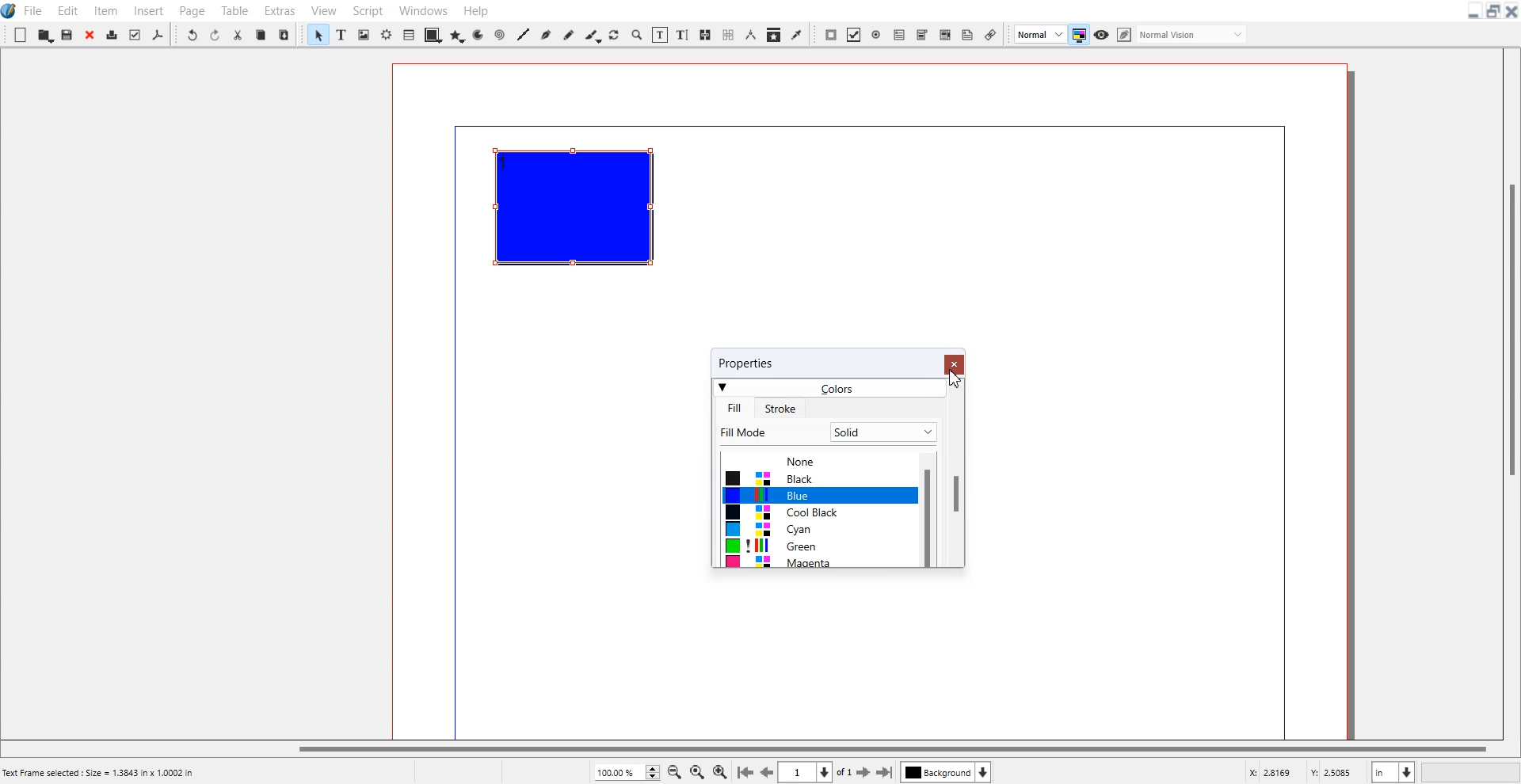 This screenshot has height=784, width=1521. What do you see at coordinates (814, 772) in the screenshot?
I see `Select current page` at bounding box center [814, 772].